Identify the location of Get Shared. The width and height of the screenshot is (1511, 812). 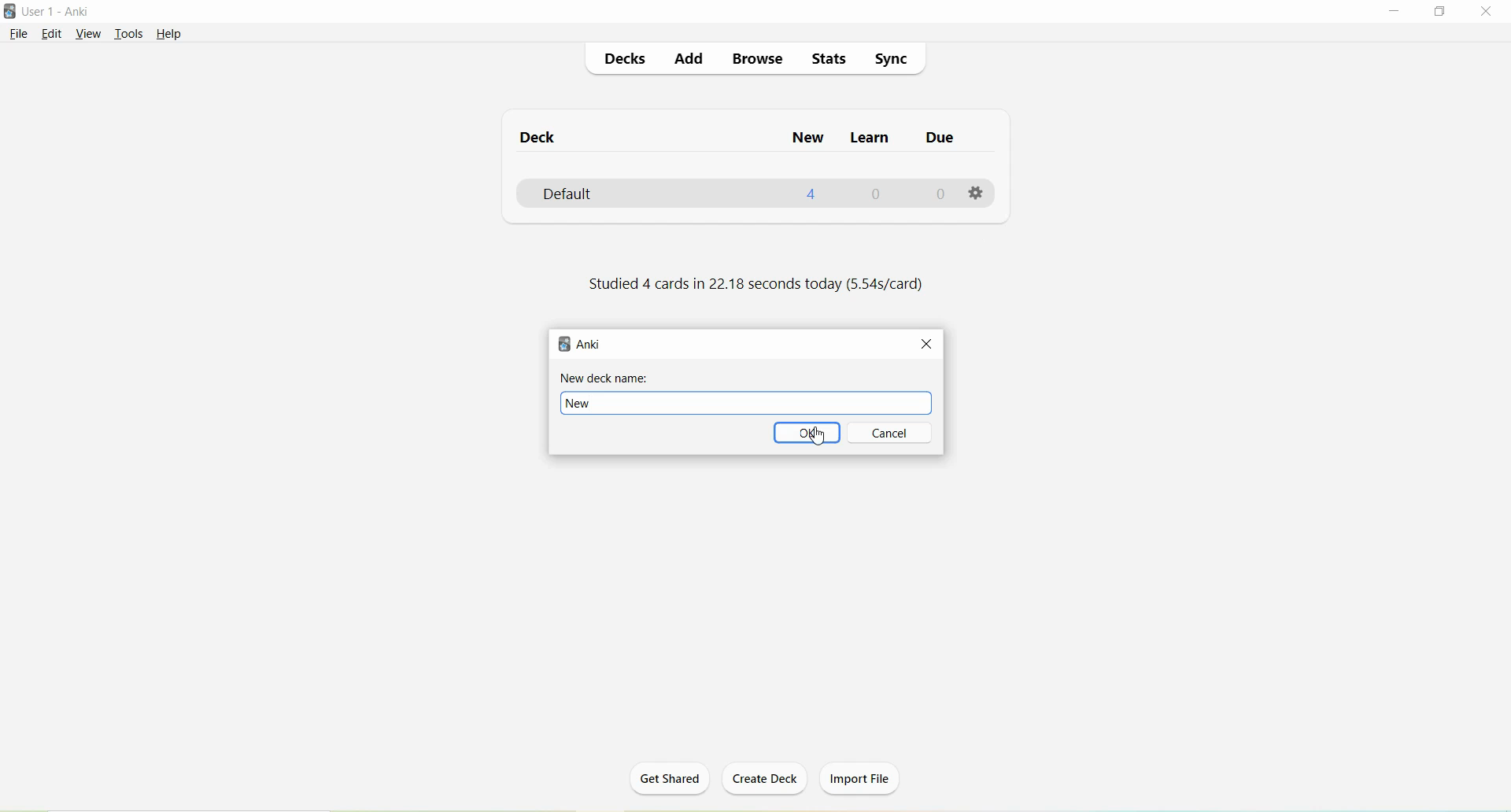
(667, 783).